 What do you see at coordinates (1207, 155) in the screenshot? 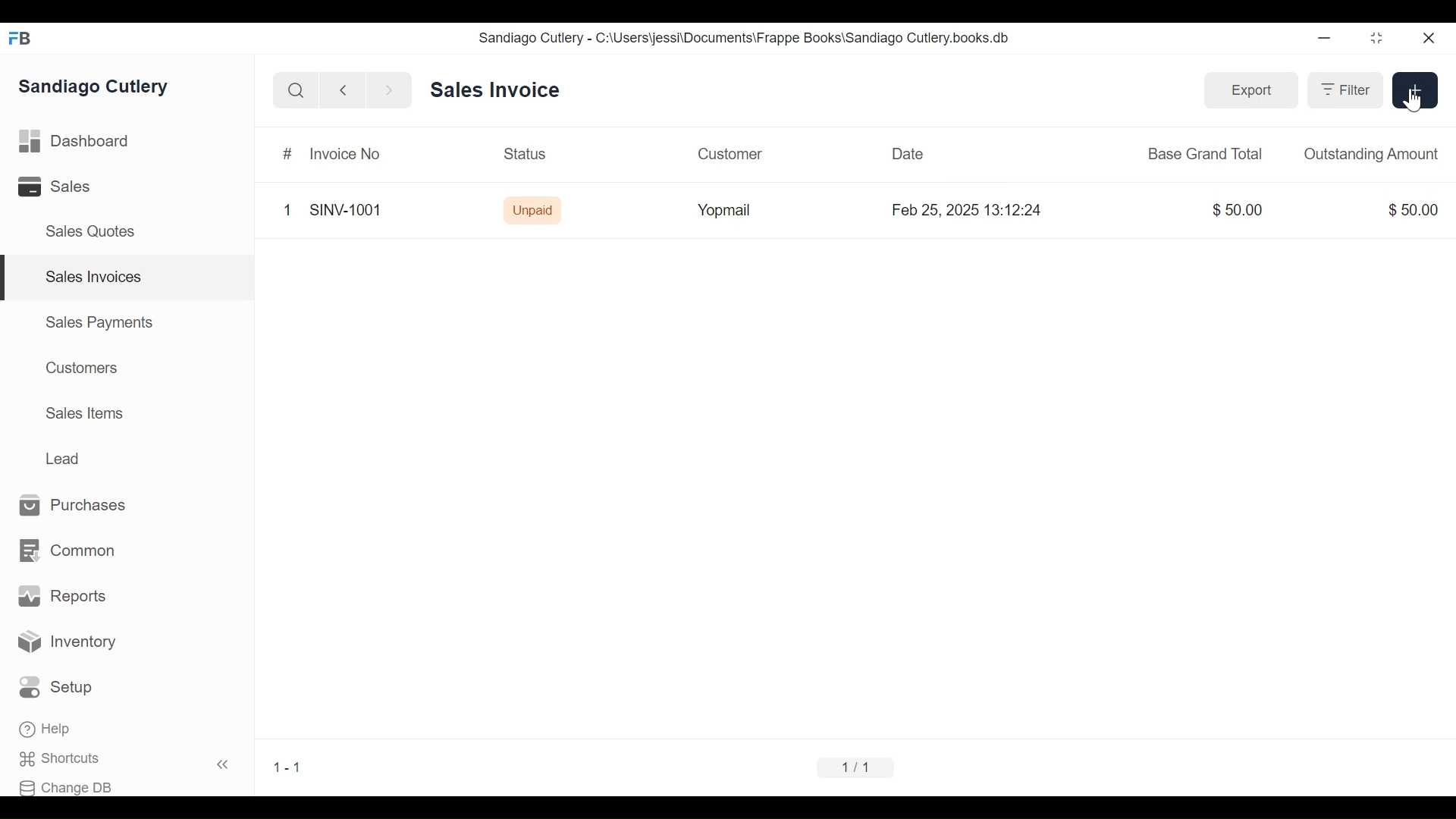
I see `Base Grand Total` at bounding box center [1207, 155].